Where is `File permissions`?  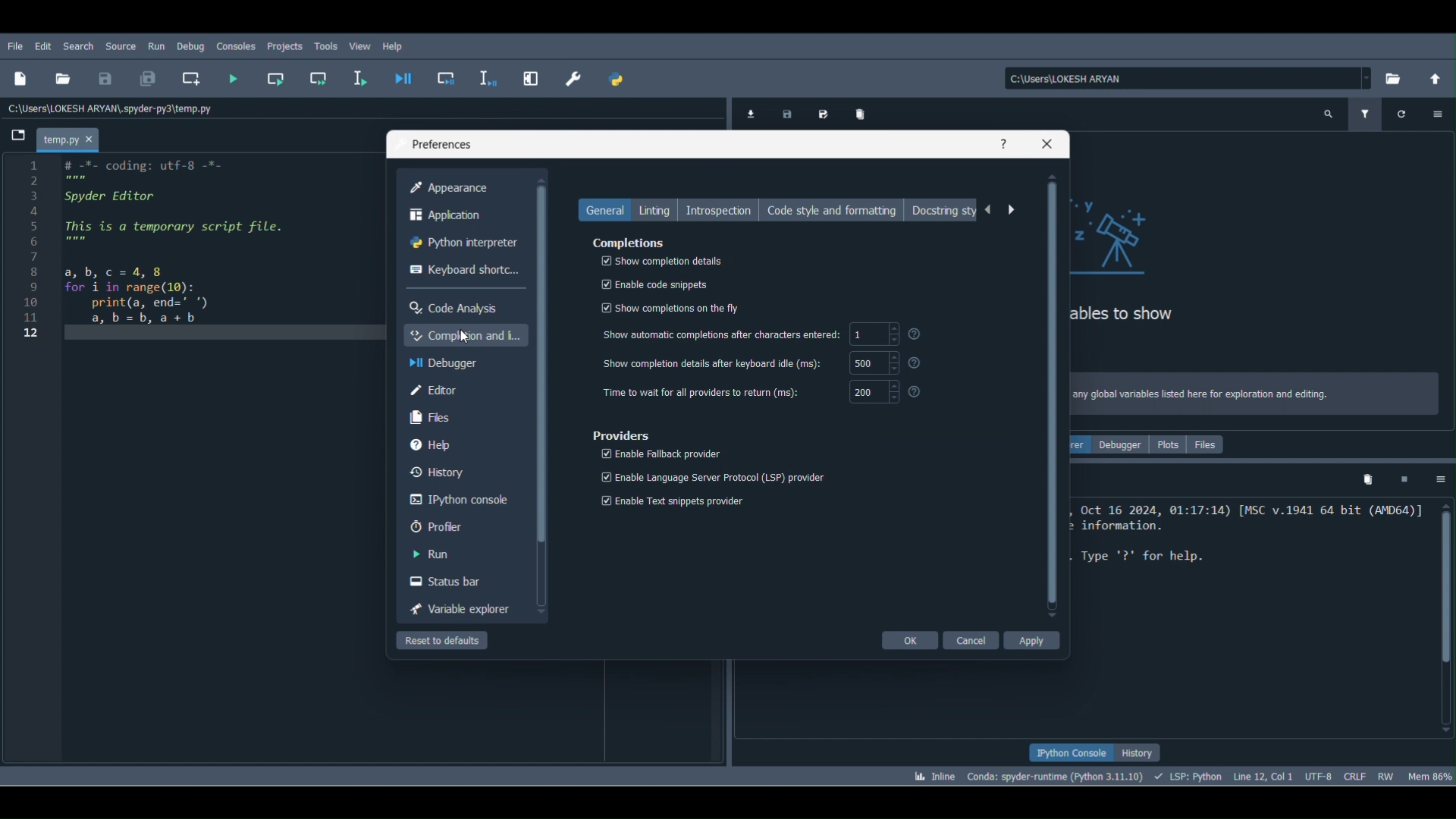
File permissions is located at coordinates (1389, 776).